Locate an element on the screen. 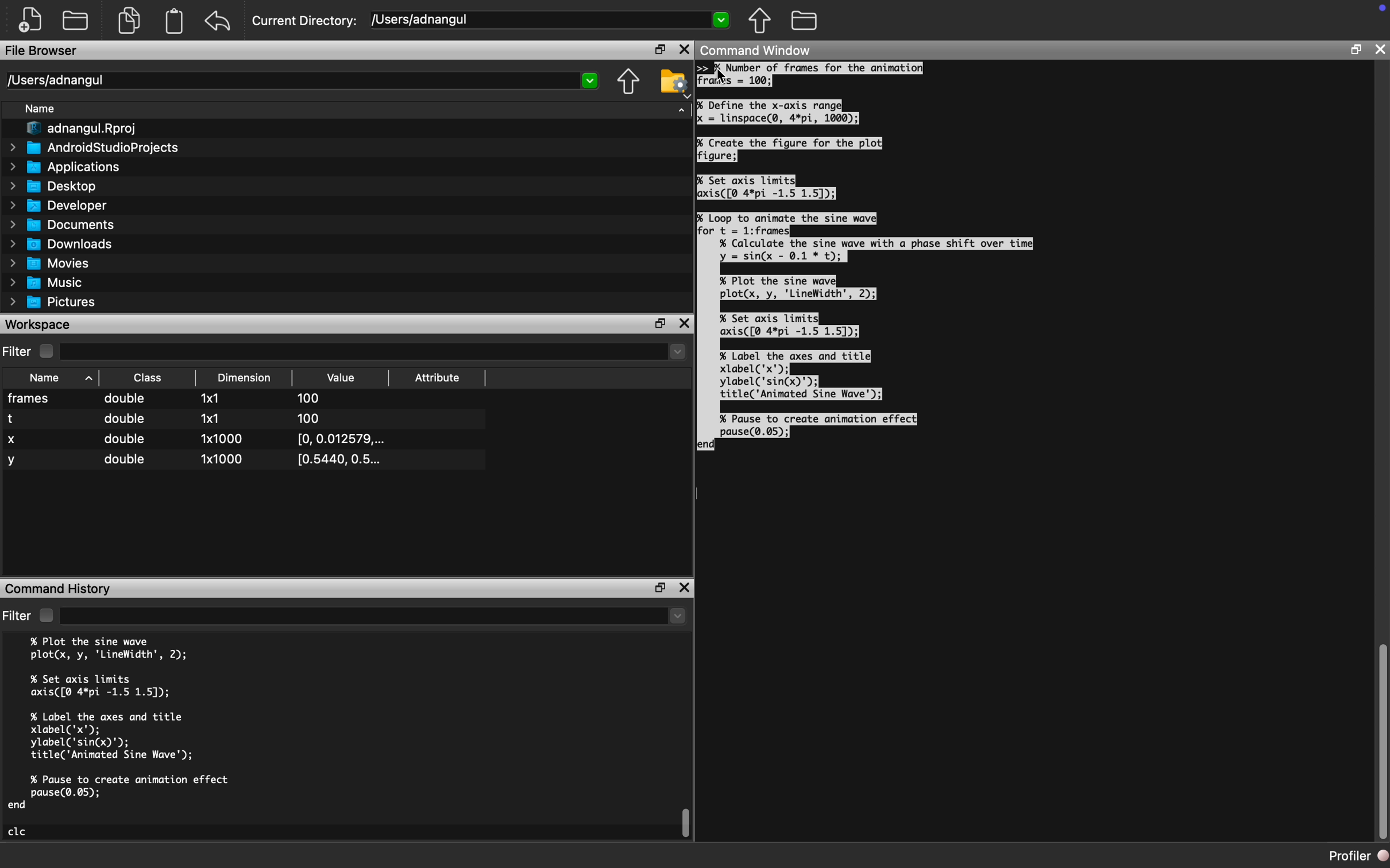  Downloads is located at coordinates (63, 246).